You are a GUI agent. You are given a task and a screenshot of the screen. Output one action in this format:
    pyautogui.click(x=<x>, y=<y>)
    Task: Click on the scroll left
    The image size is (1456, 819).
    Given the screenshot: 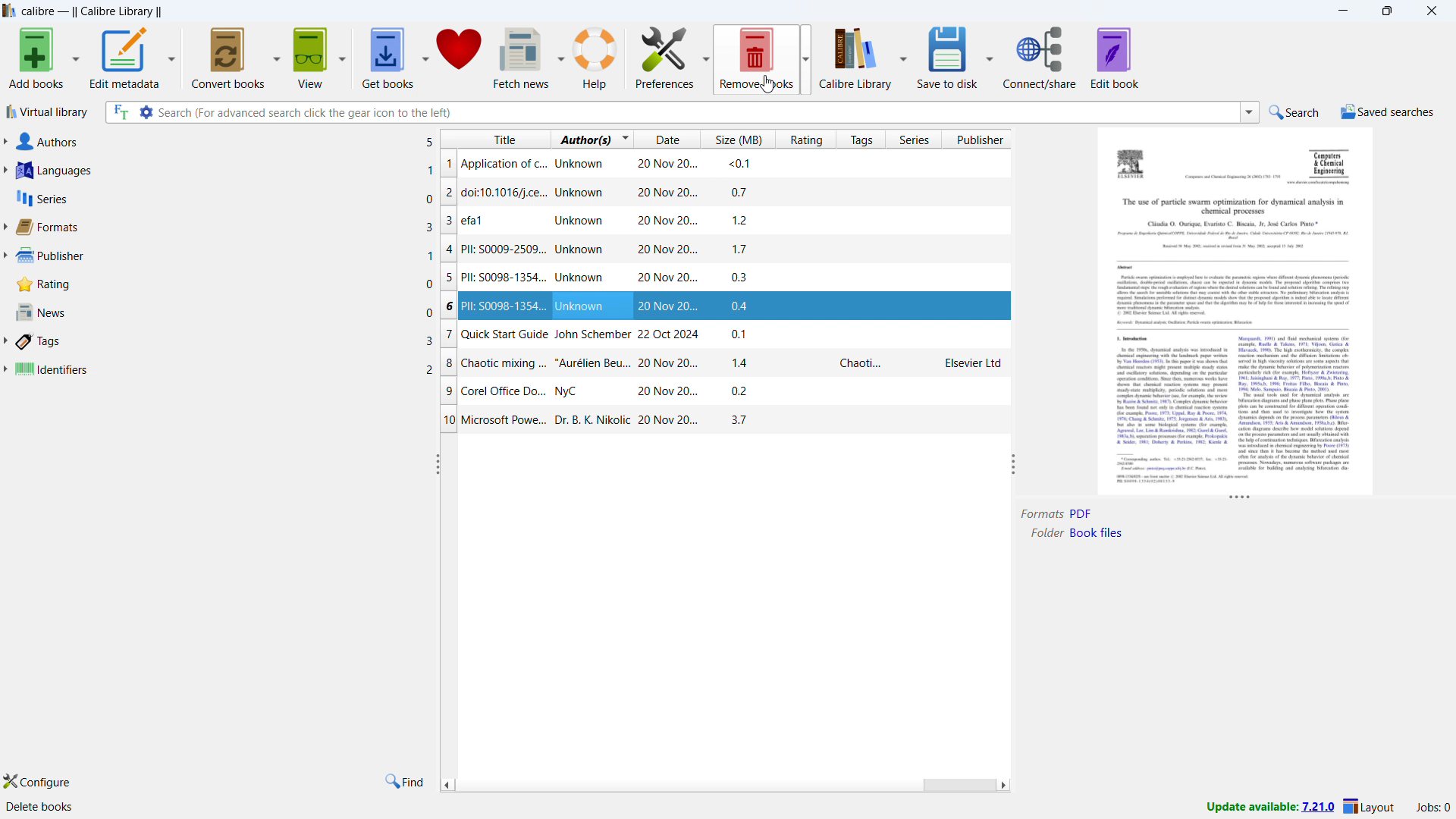 What is the action you would take?
    pyautogui.click(x=446, y=784)
    